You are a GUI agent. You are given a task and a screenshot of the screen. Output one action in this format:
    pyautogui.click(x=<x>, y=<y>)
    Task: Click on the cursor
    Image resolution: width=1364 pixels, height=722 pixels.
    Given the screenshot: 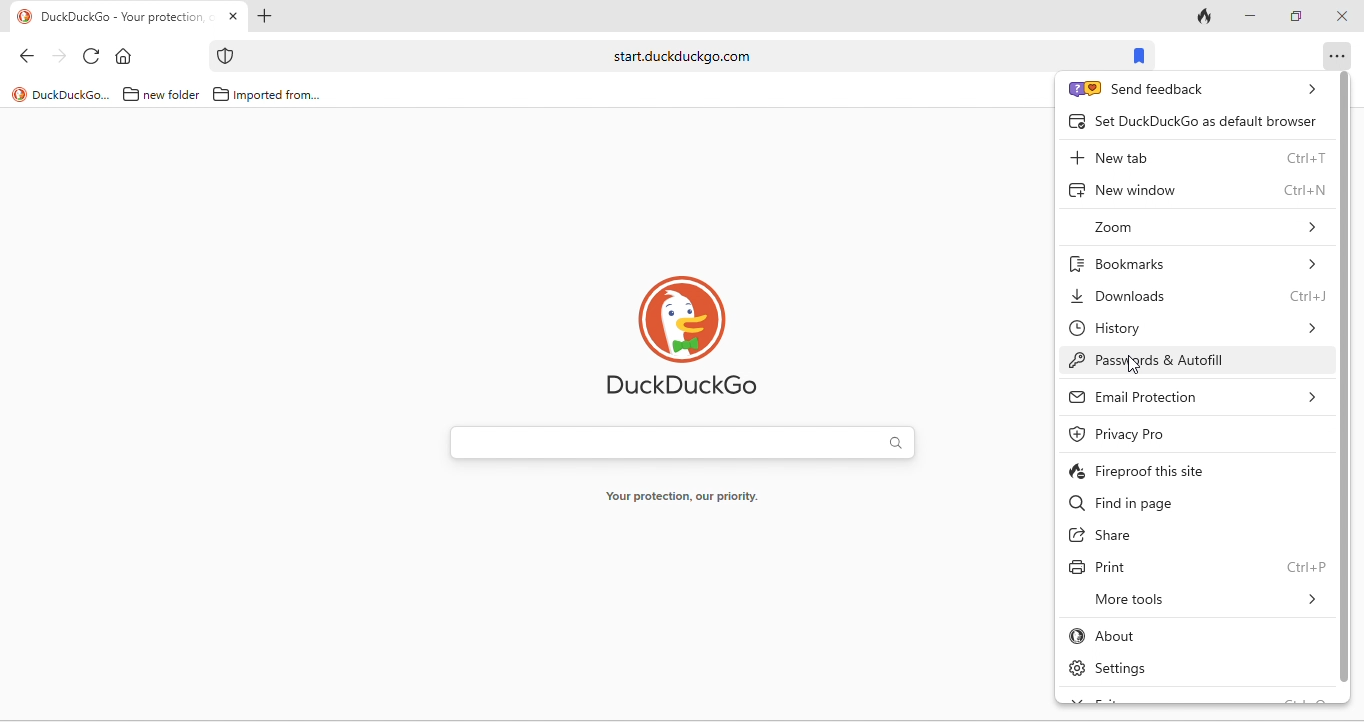 What is the action you would take?
    pyautogui.click(x=1136, y=366)
    